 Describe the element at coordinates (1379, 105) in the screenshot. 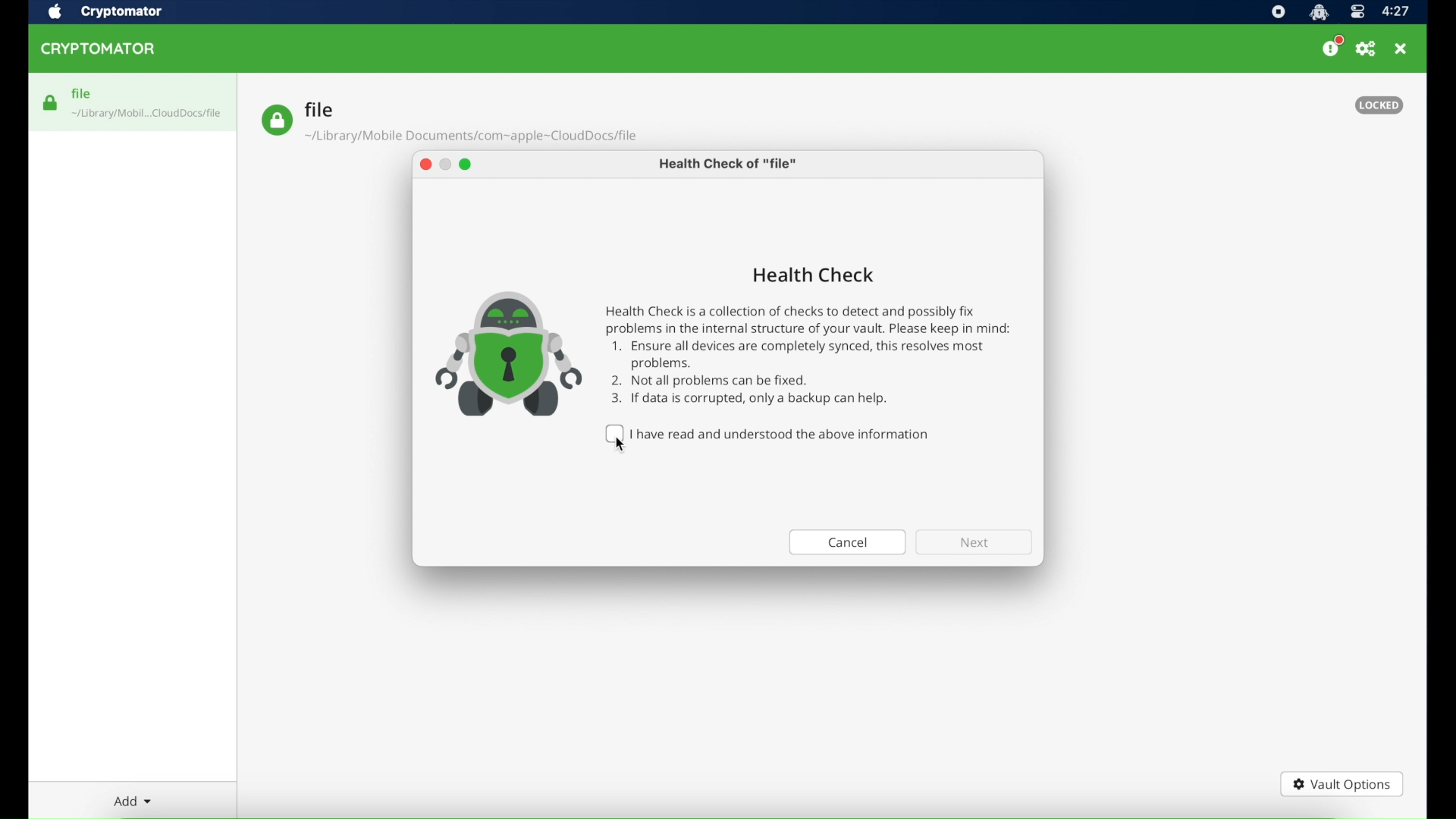

I see `locked` at that location.